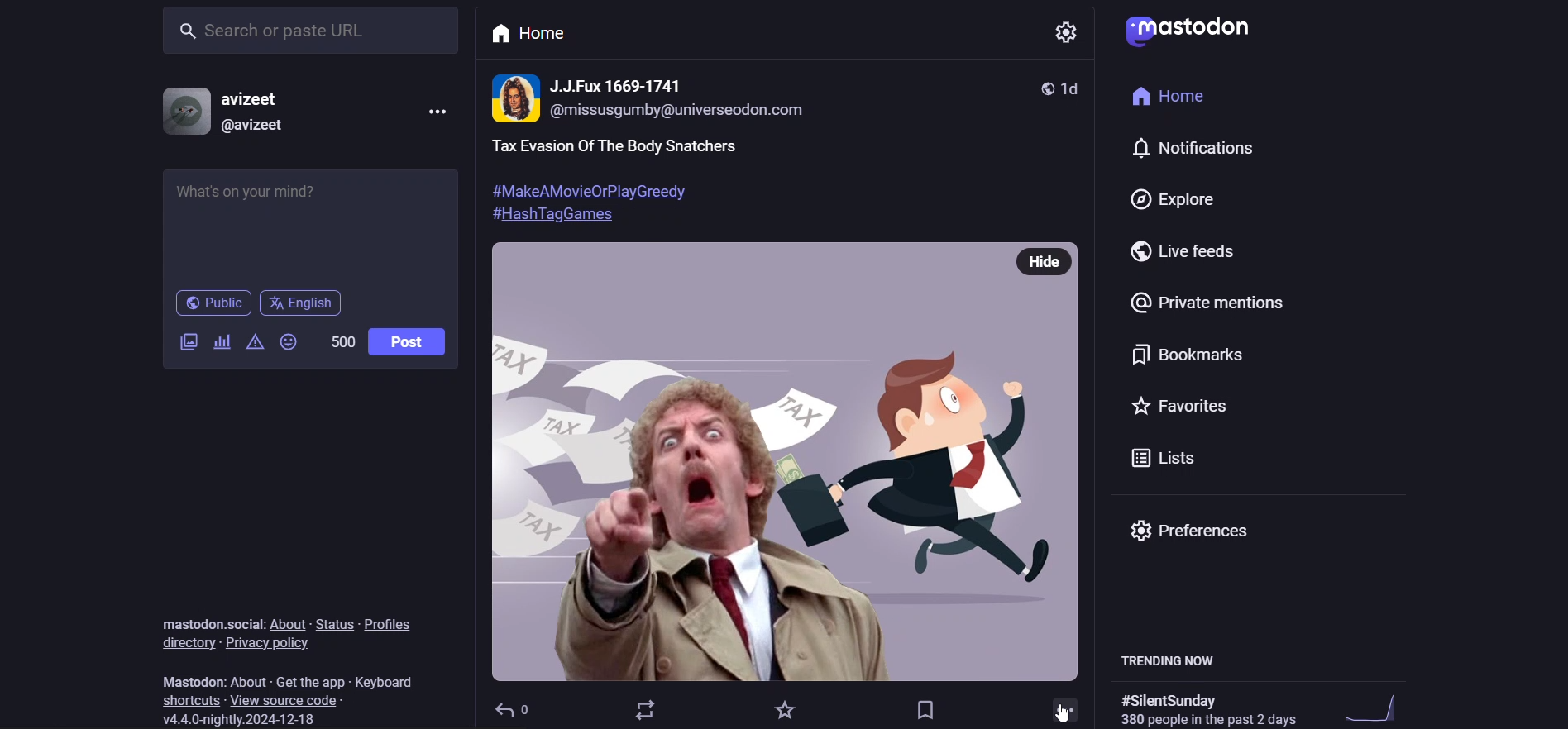 The image size is (1568, 729). Describe the element at coordinates (387, 622) in the screenshot. I see `profiles` at that location.